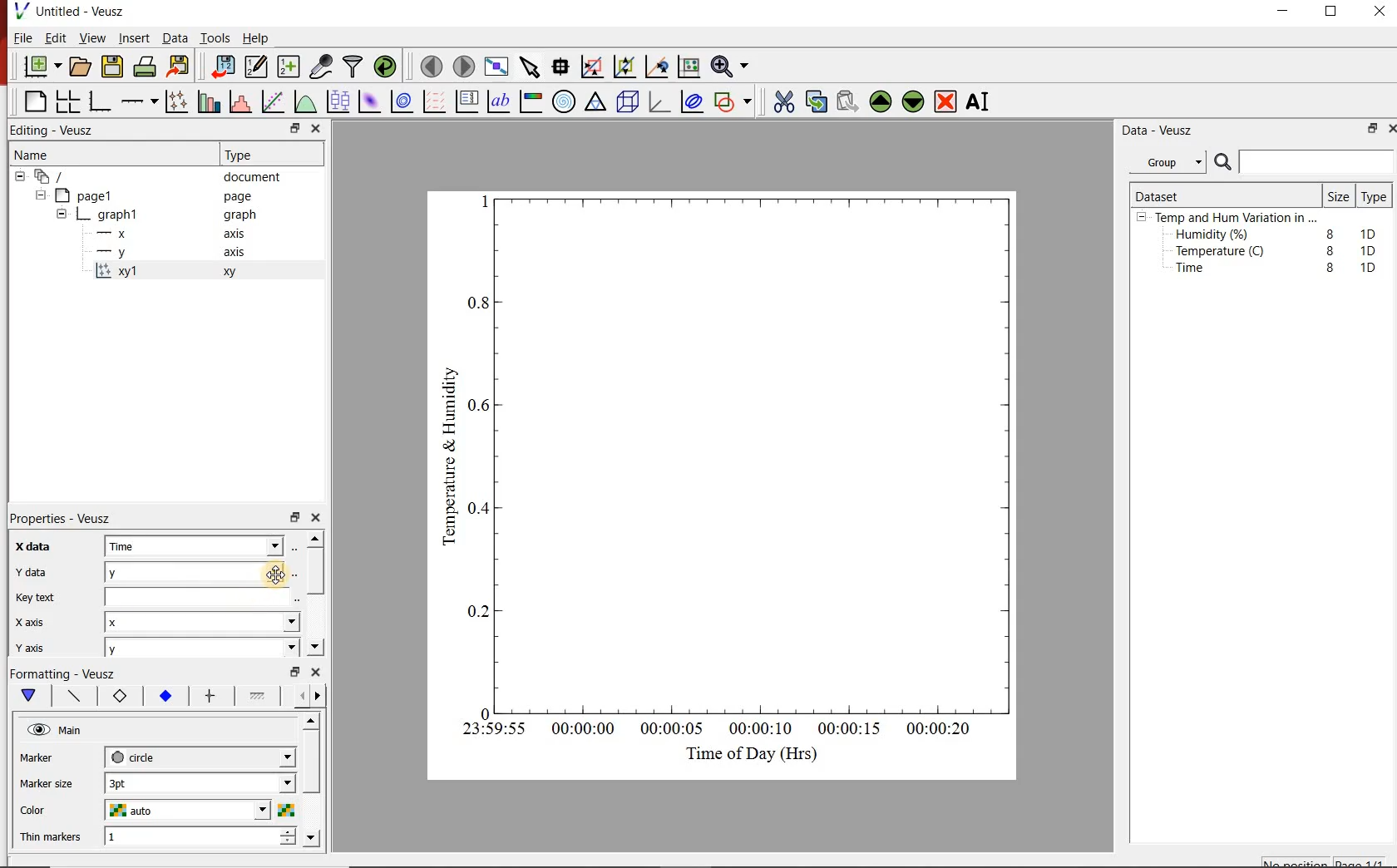  Describe the element at coordinates (1375, 198) in the screenshot. I see `Type` at that location.